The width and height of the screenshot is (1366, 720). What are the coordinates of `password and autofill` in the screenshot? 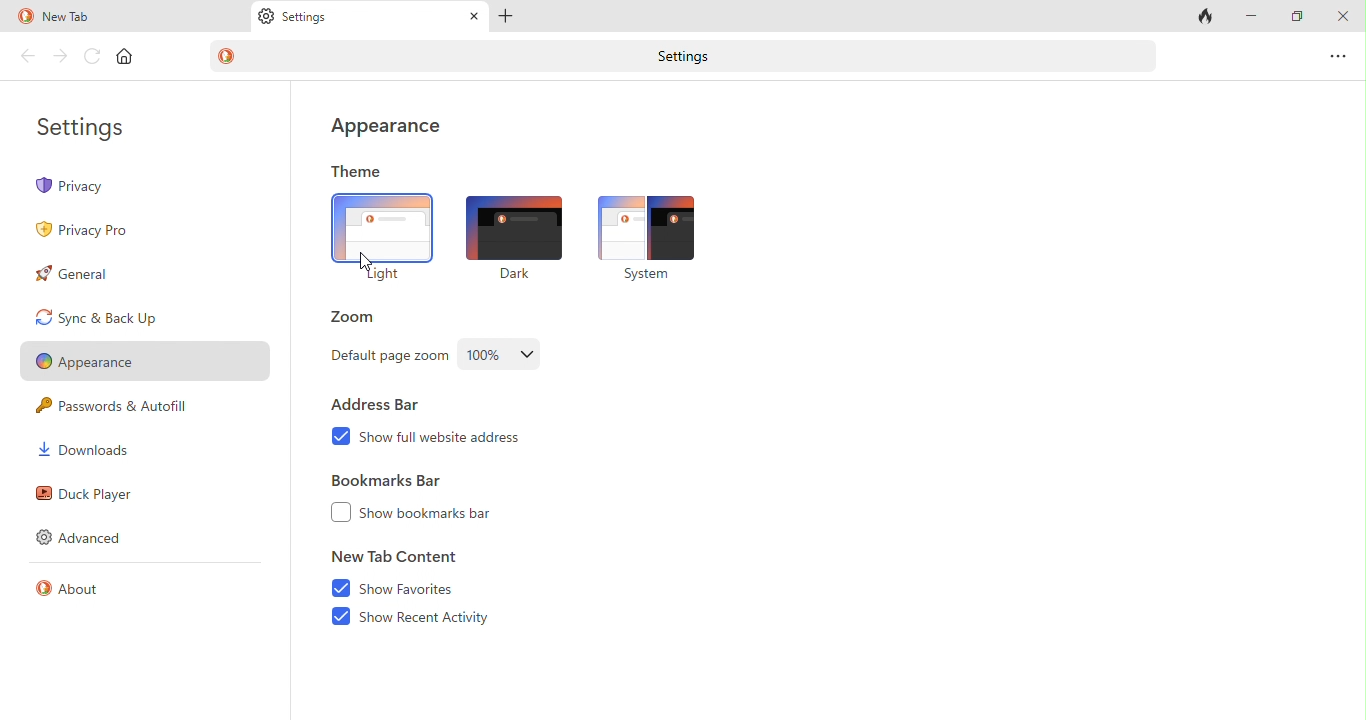 It's located at (123, 408).